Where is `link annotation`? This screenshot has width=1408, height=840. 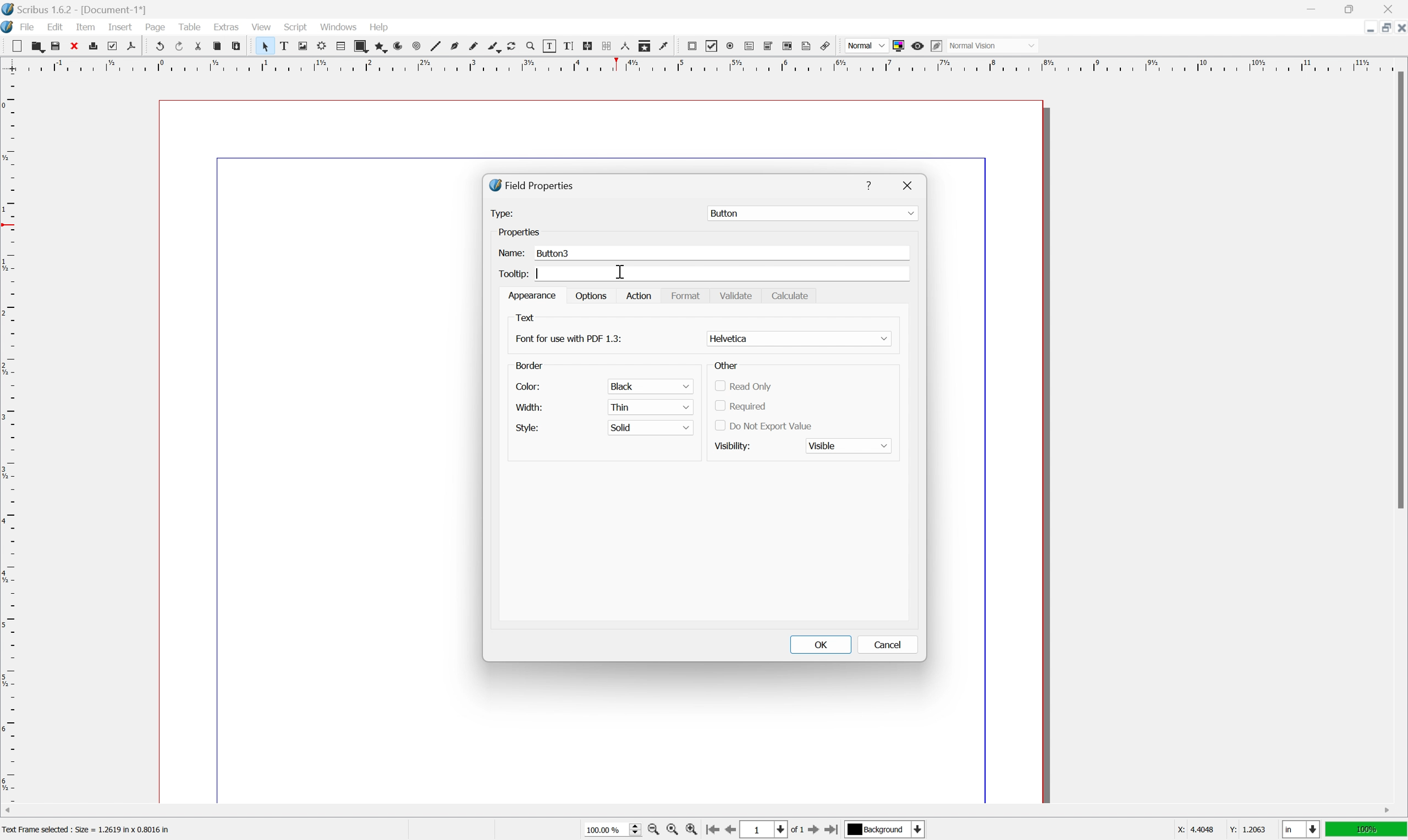
link annotation is located at coordinates (827, 46).